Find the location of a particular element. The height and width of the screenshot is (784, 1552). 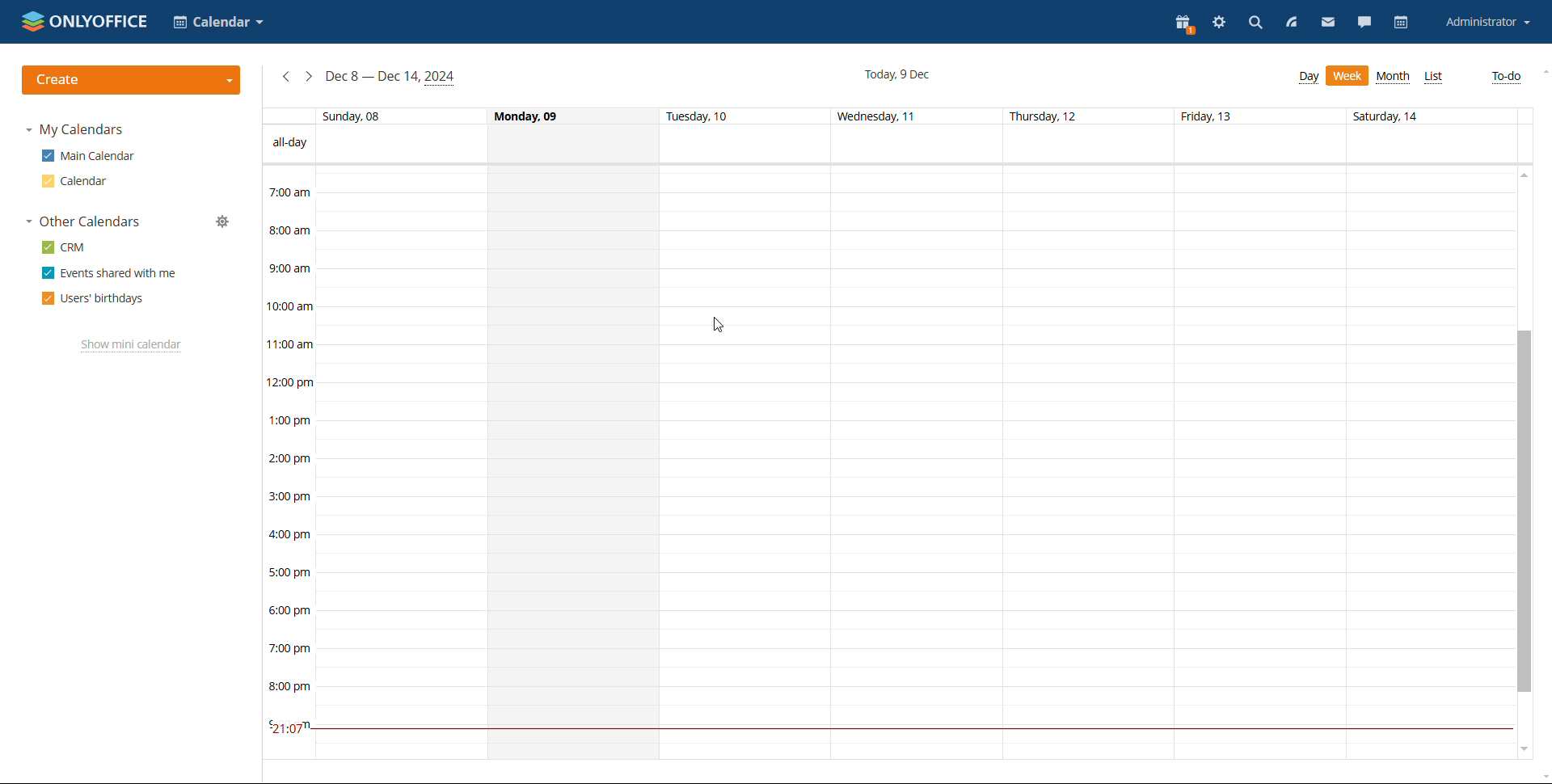

scroll up is located at coordinates (1522, 174).